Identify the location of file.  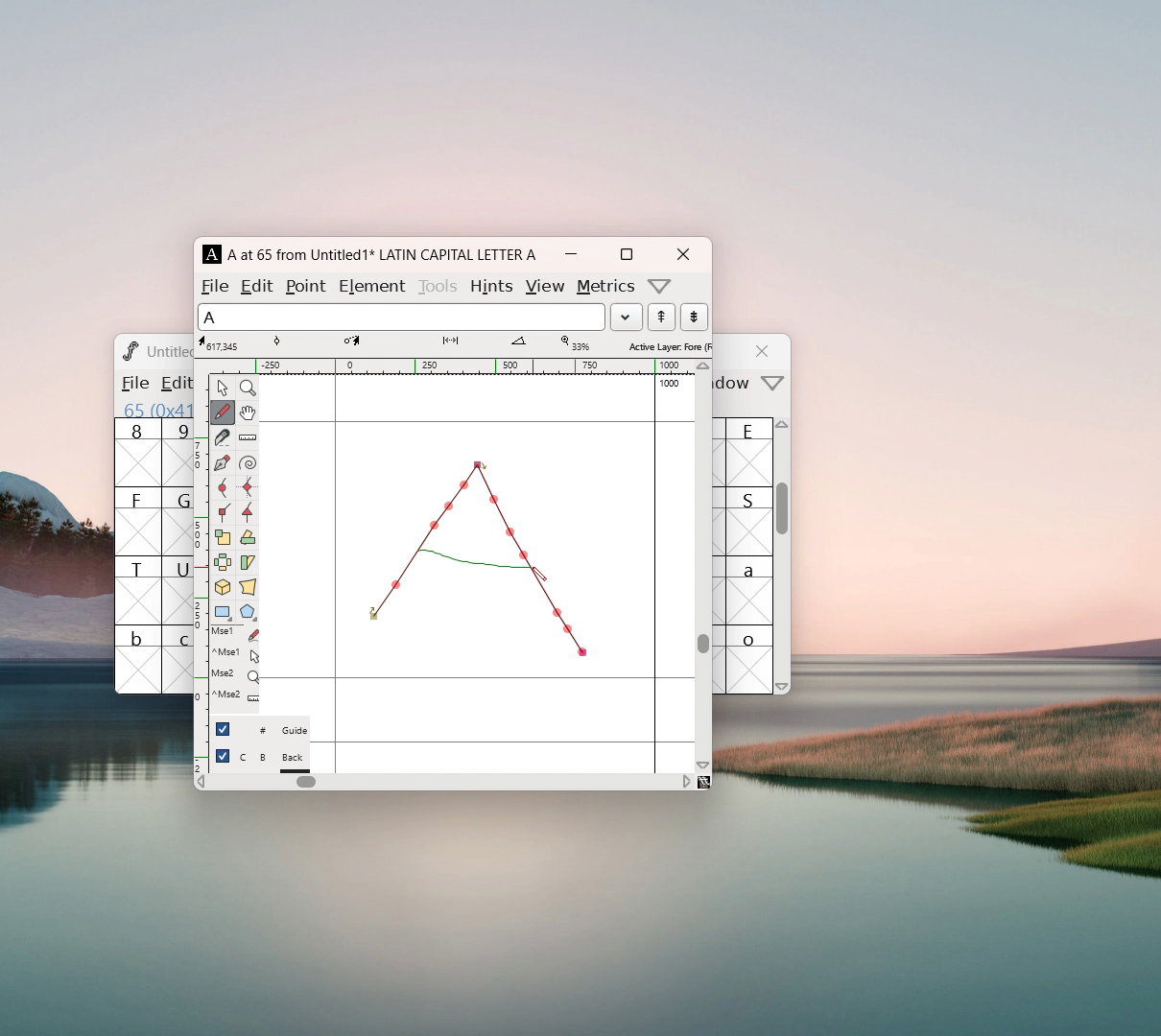
(215, 286).